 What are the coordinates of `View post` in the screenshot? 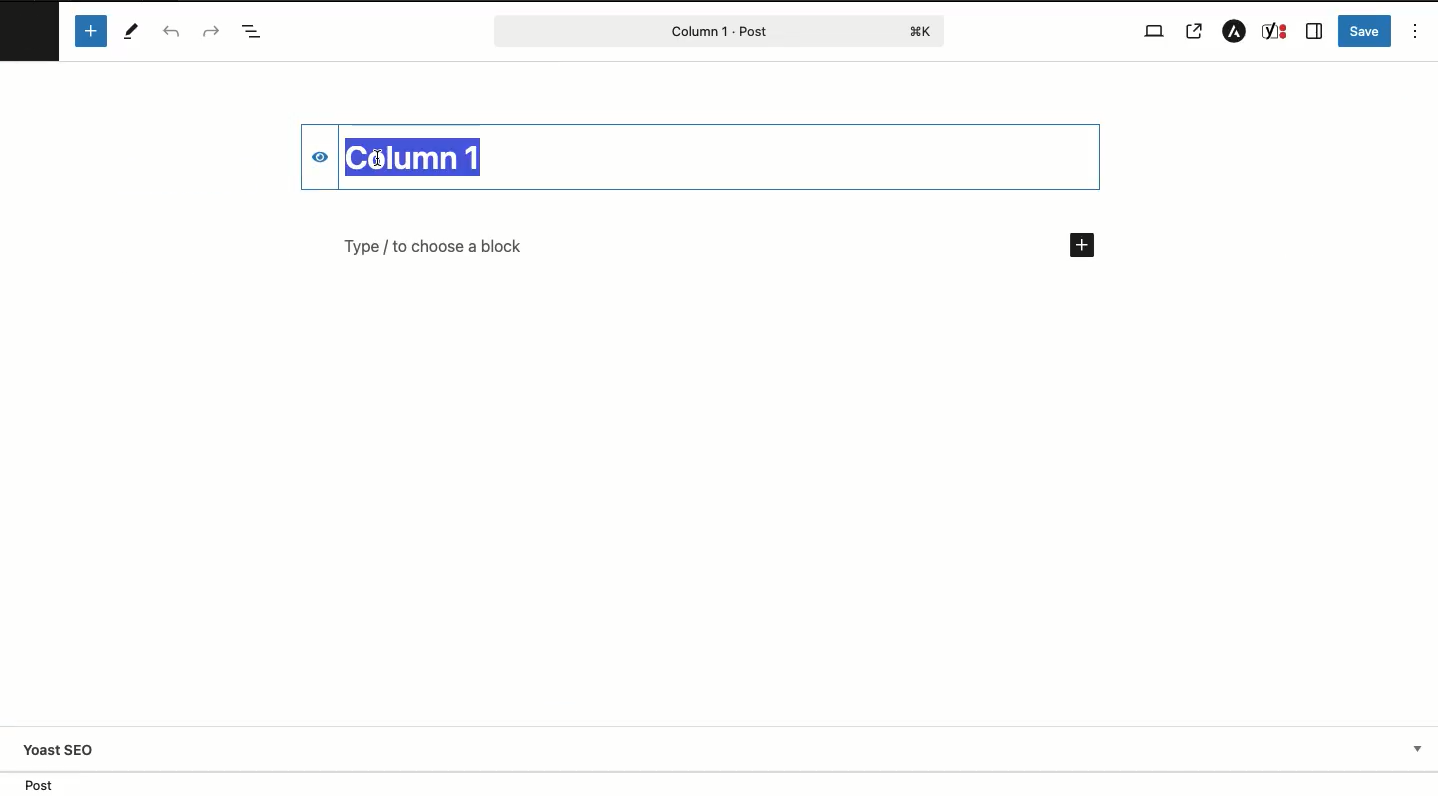 It's located at (1197, 31).